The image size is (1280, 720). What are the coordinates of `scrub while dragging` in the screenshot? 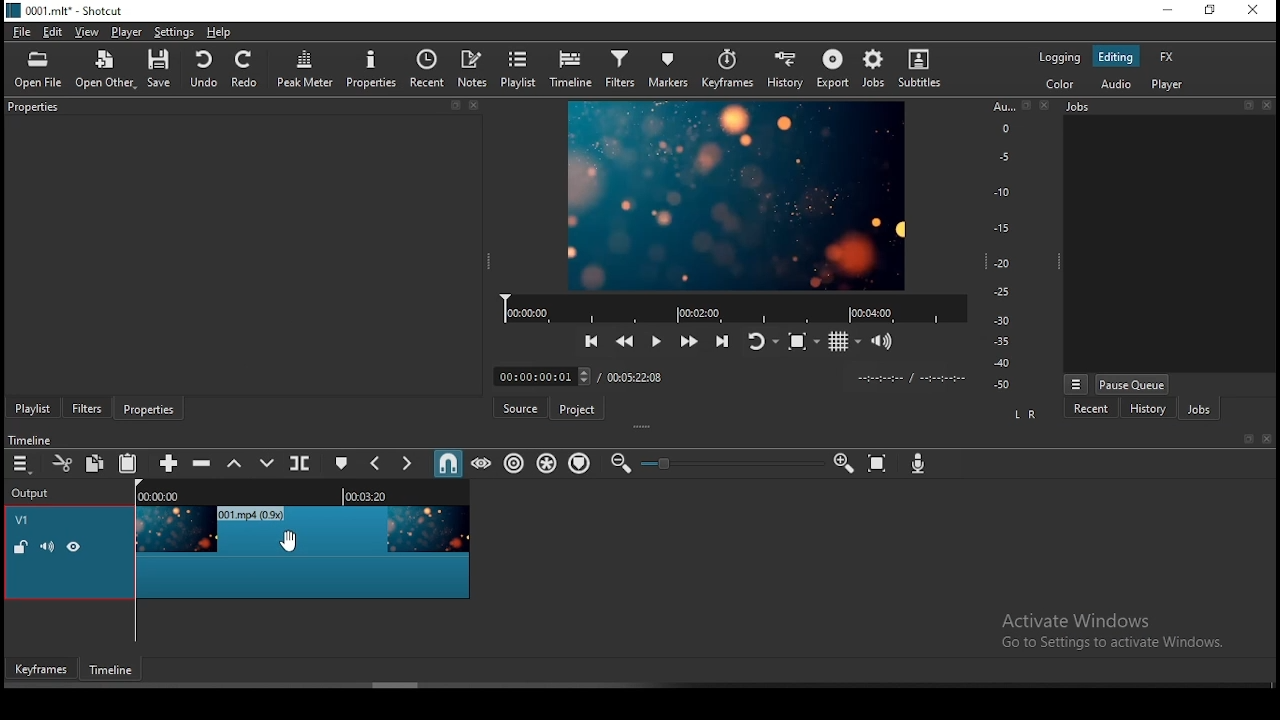 It's located at (483, 465).